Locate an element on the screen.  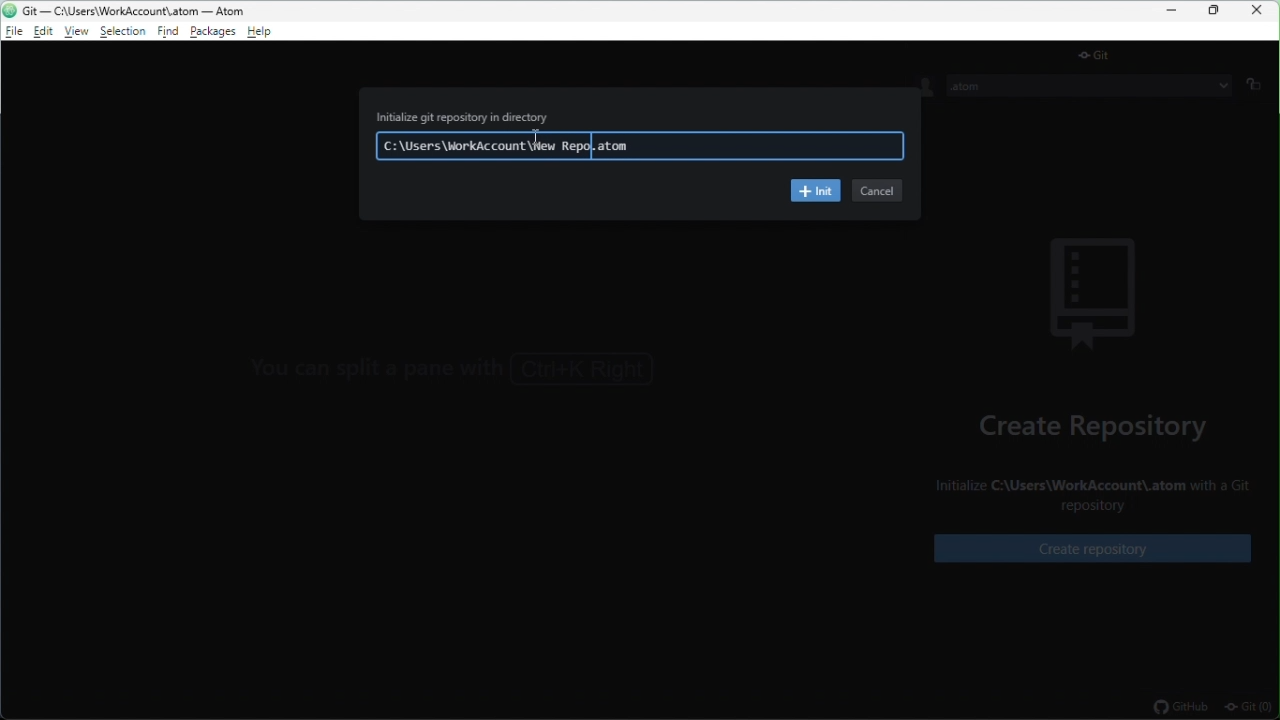
cursor is located at coordinates (539, 135).